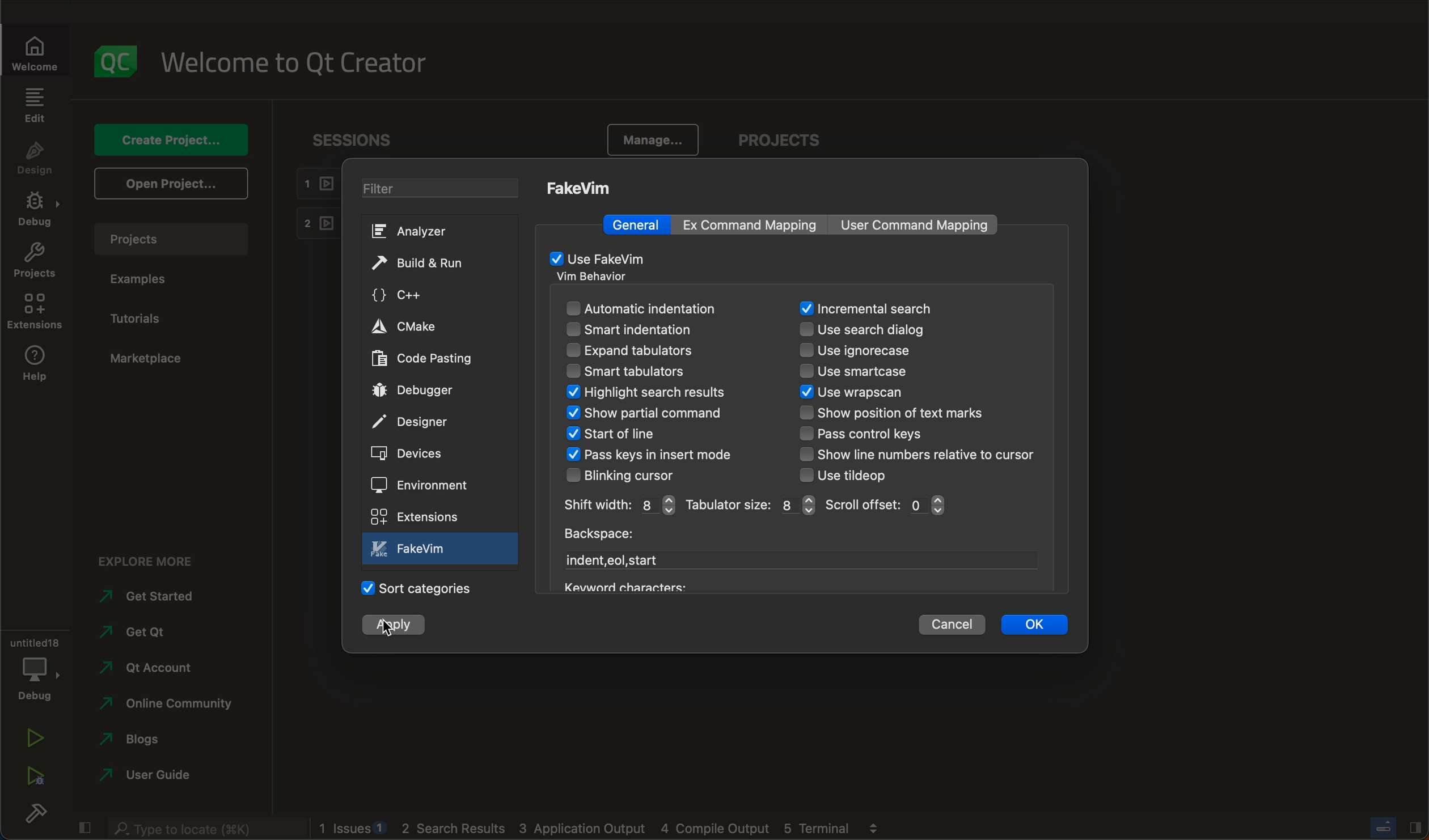  I want to click on ok, so click(1034, 626).